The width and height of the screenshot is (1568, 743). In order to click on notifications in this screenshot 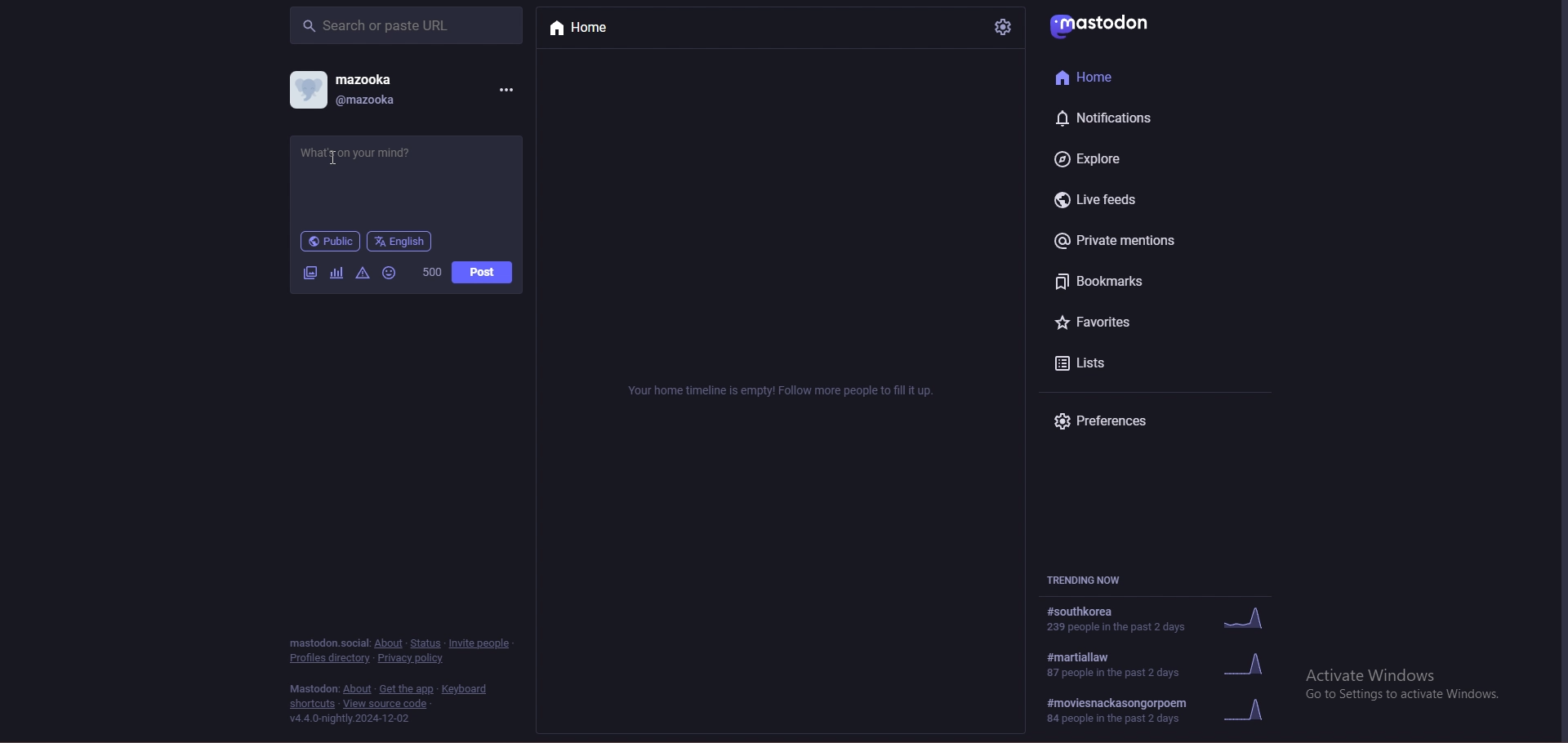, I will do `click(1111, 118)`.